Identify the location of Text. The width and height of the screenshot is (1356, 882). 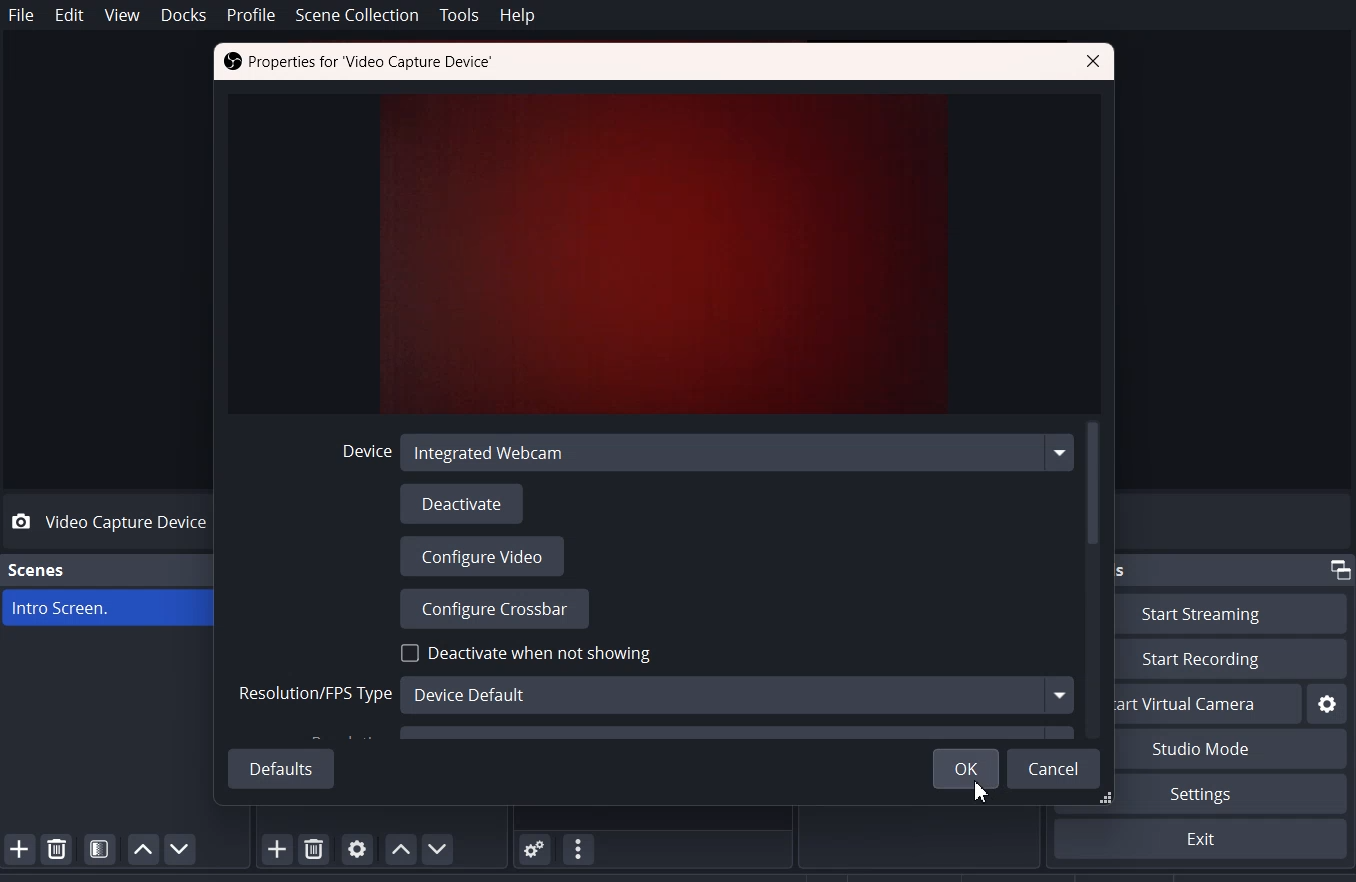
(359, 62).